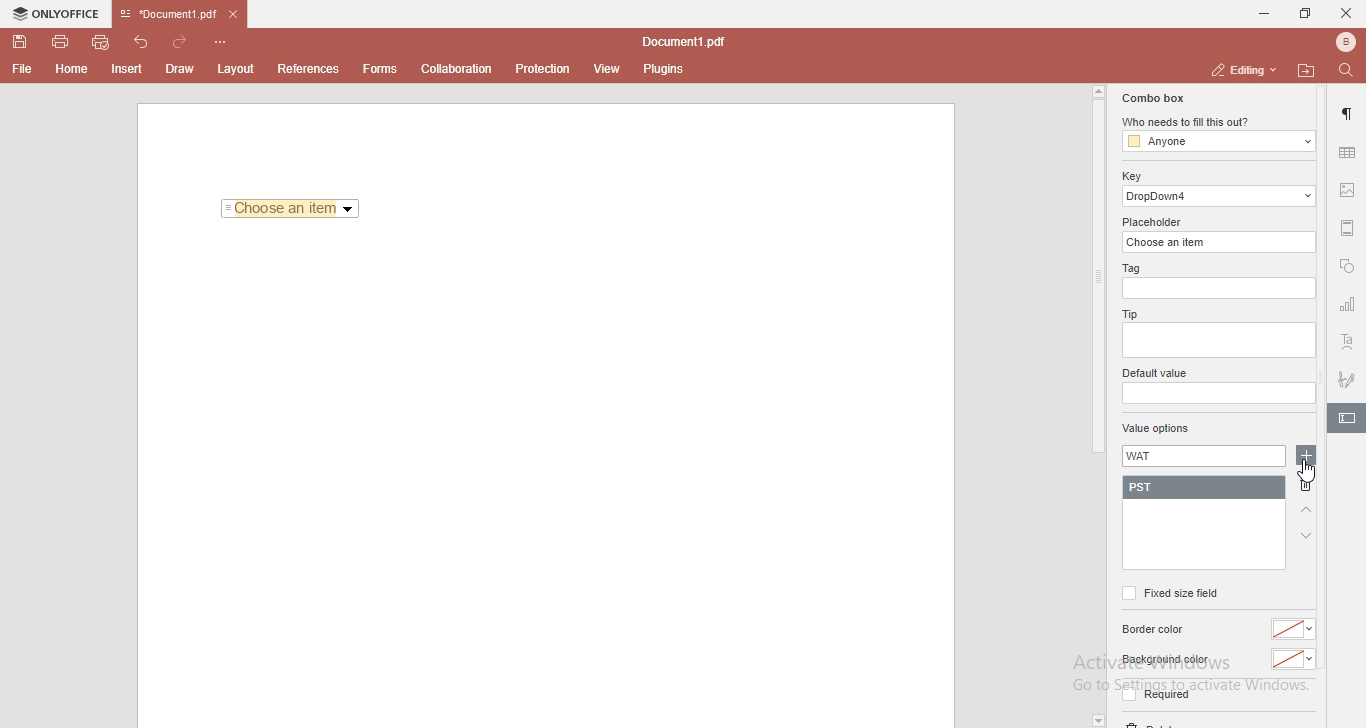 Image resolution: width=1366 pixels, height=728 pixels. Describe the element at coordinates (1221, 241) in the screenshot. I see `choose an item` at that location.